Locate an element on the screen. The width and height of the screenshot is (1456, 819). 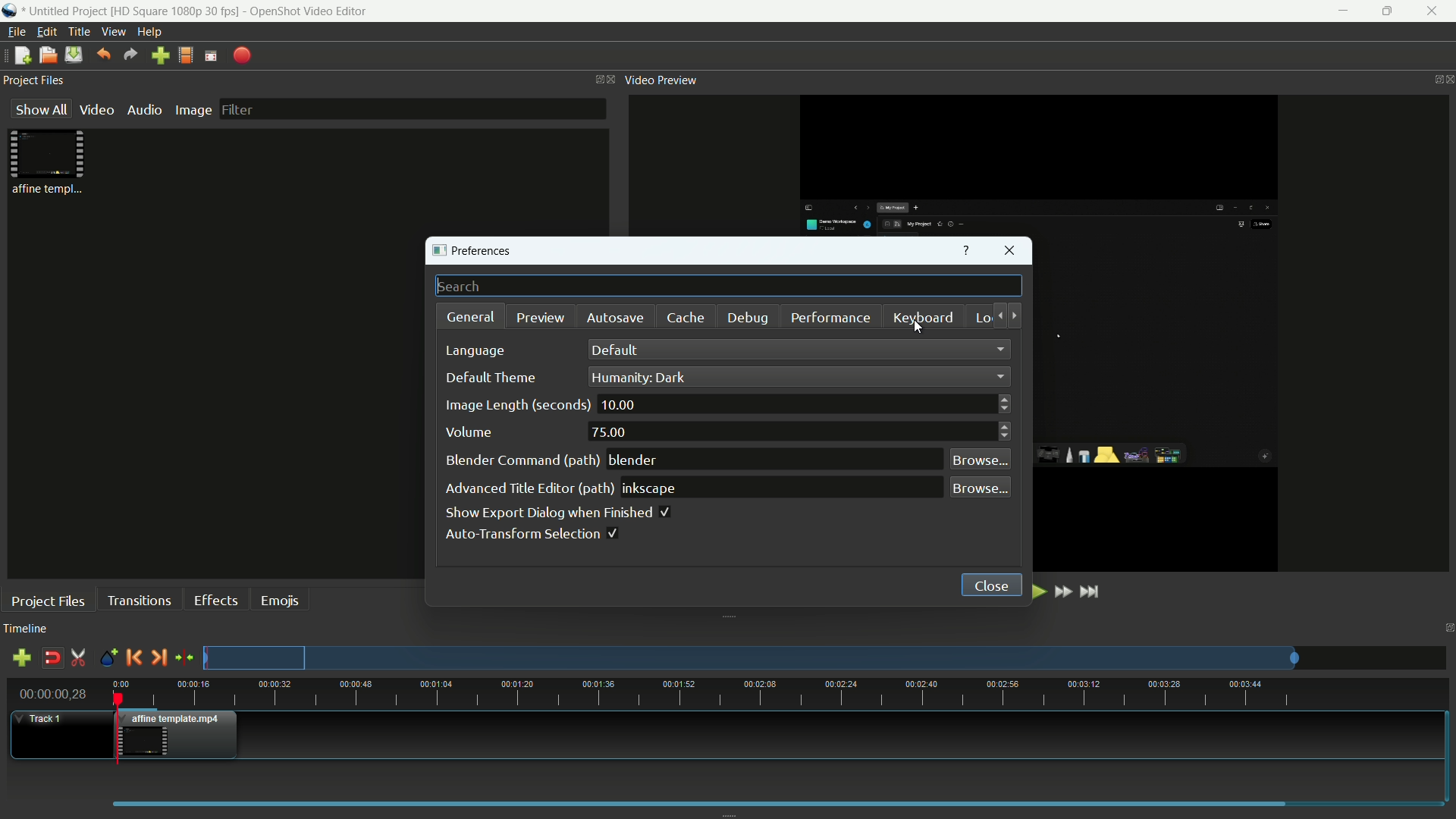
audio is located at coordinates (146, 110).